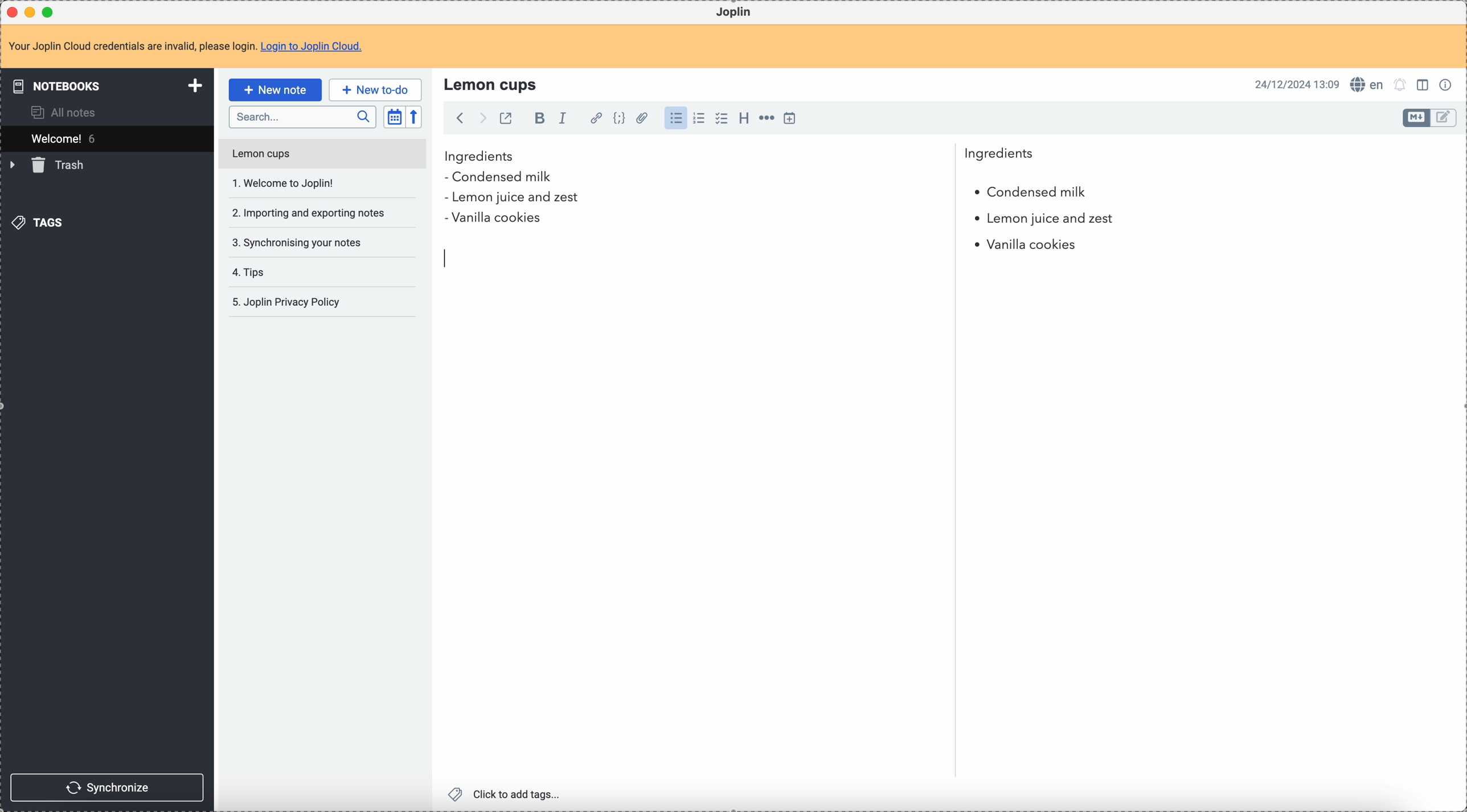 This screenshot has width=1467, height=812. What do you see at coordinates (284, 183) in the screenshot?
I see `welcome to Joplin!` at bounding box center [284, 183].